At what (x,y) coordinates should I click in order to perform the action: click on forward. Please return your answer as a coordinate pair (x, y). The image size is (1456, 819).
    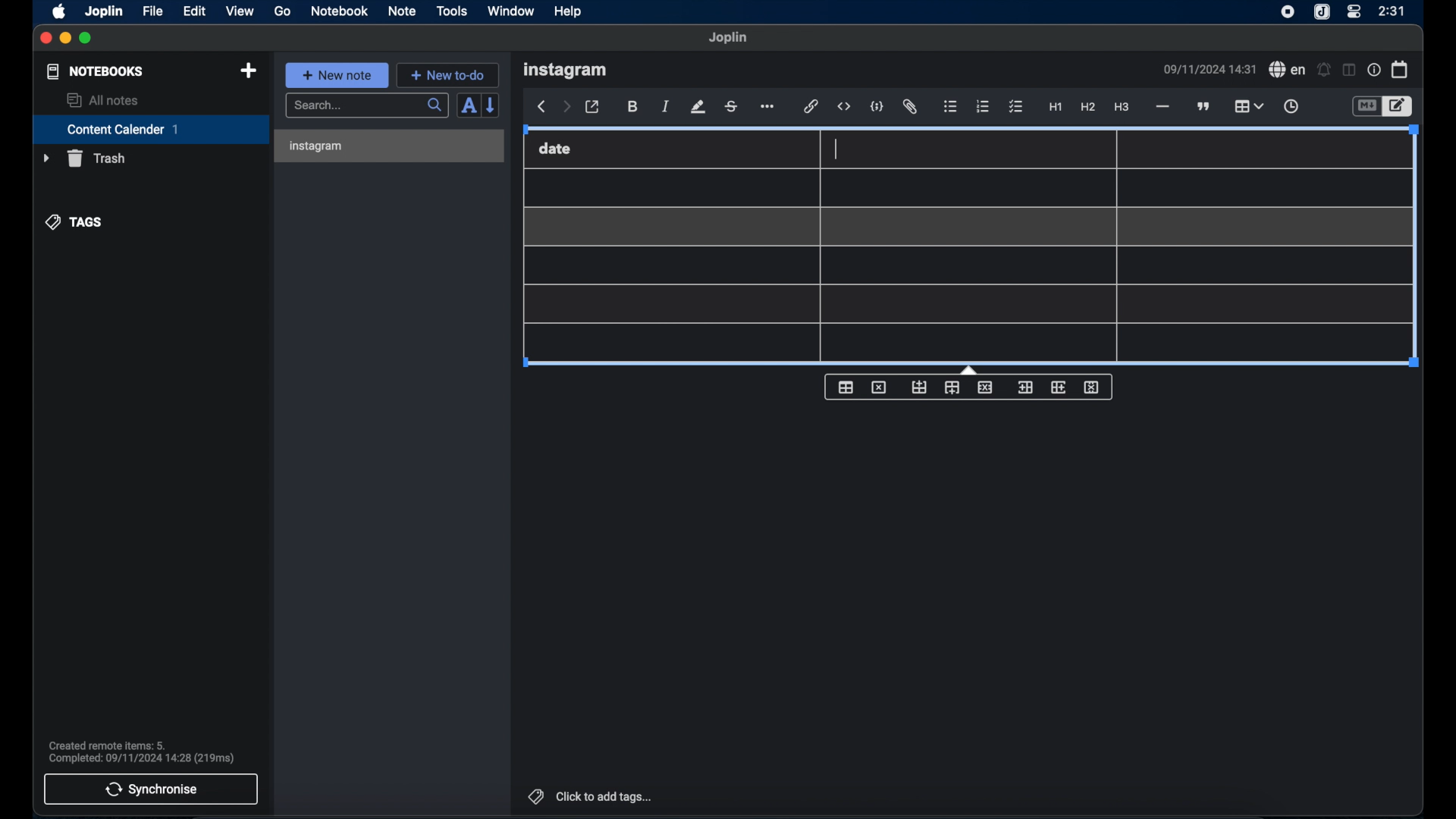
    Looking at the image, I should click on (566, 108).